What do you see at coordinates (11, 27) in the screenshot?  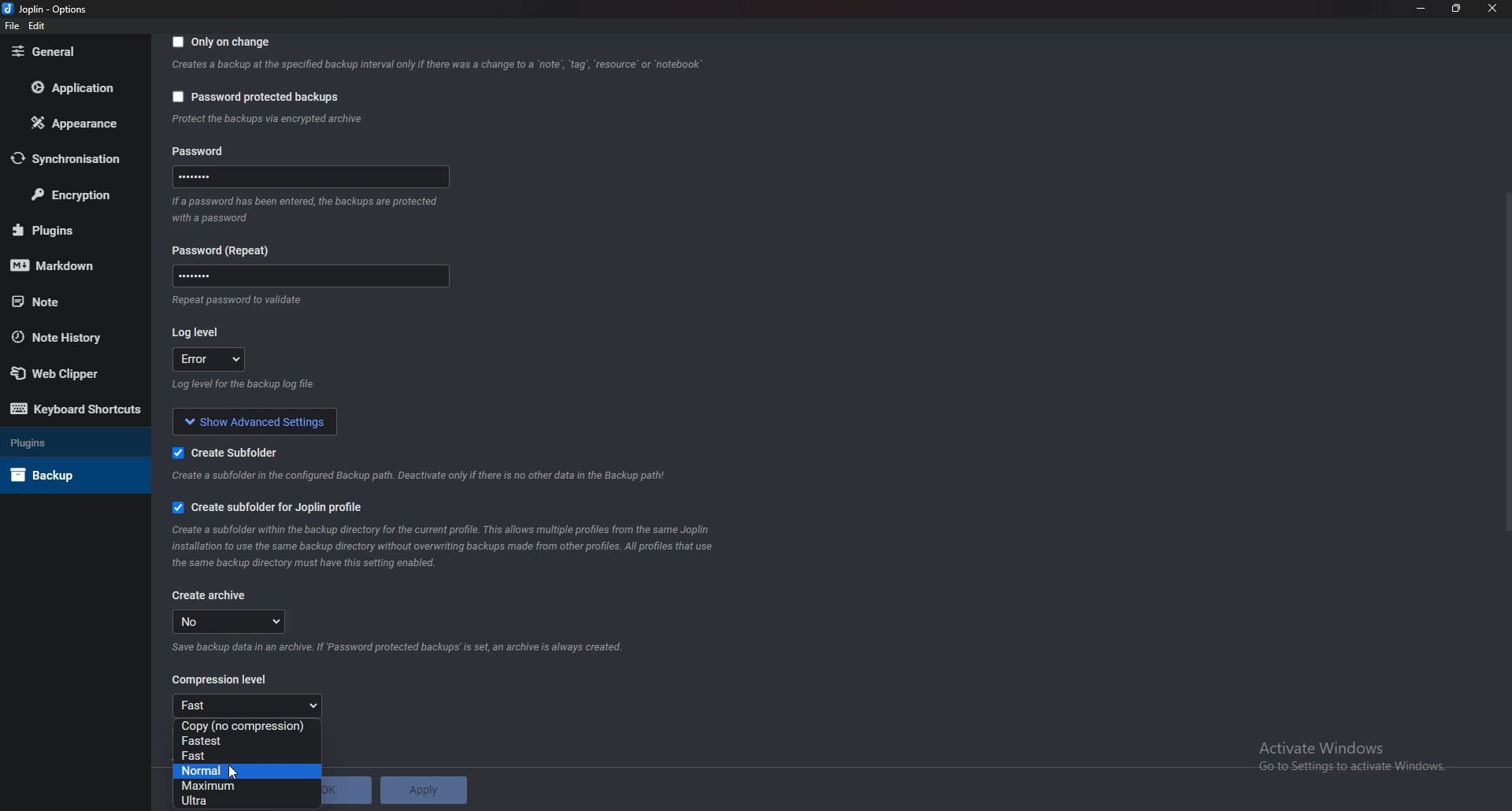 I see `file` at bounding box center [11, 27].